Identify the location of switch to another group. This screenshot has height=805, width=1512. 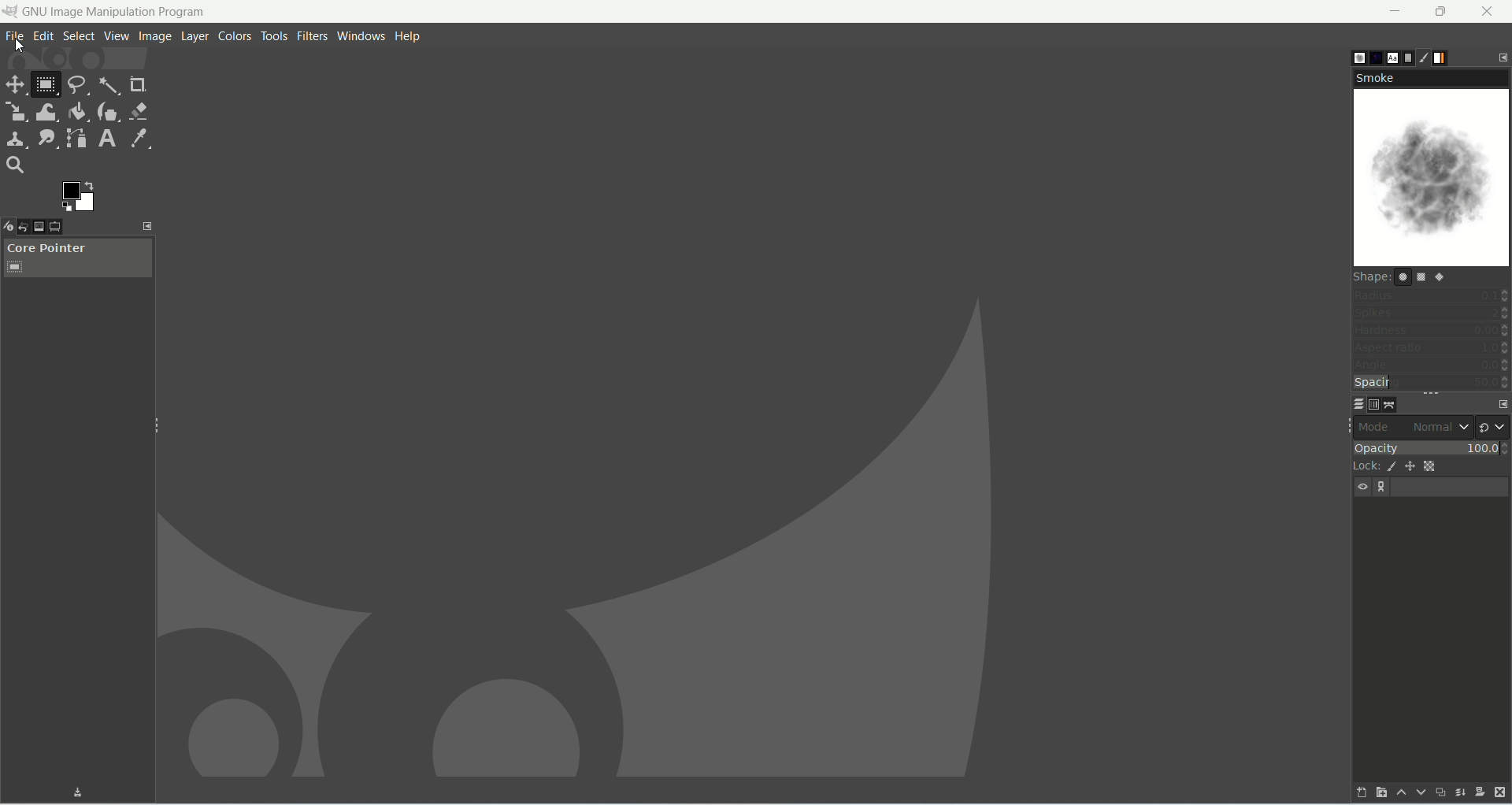
(1492, 426).